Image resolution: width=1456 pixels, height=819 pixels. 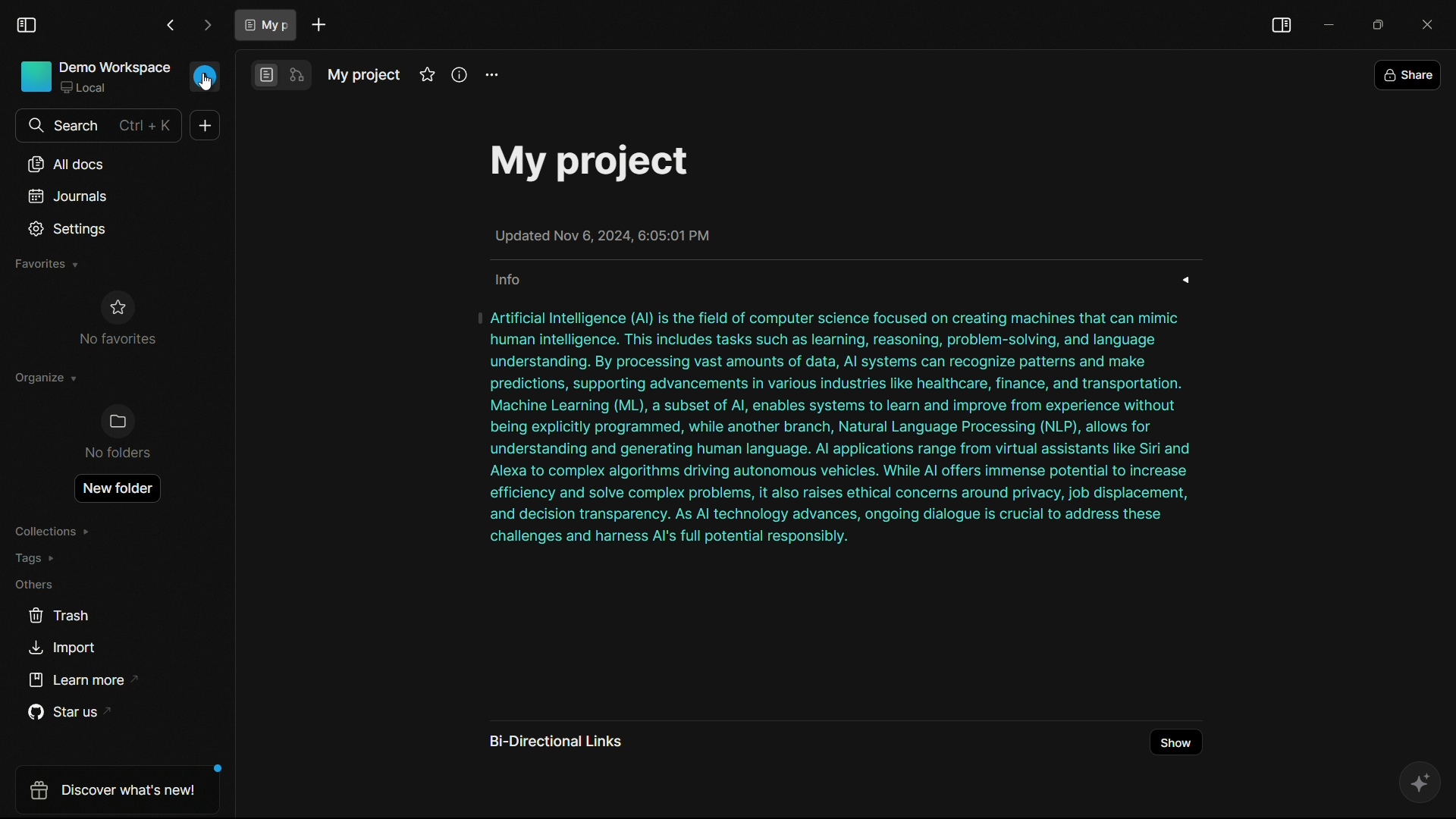 I want to click on info, so click(x=460, y=74).